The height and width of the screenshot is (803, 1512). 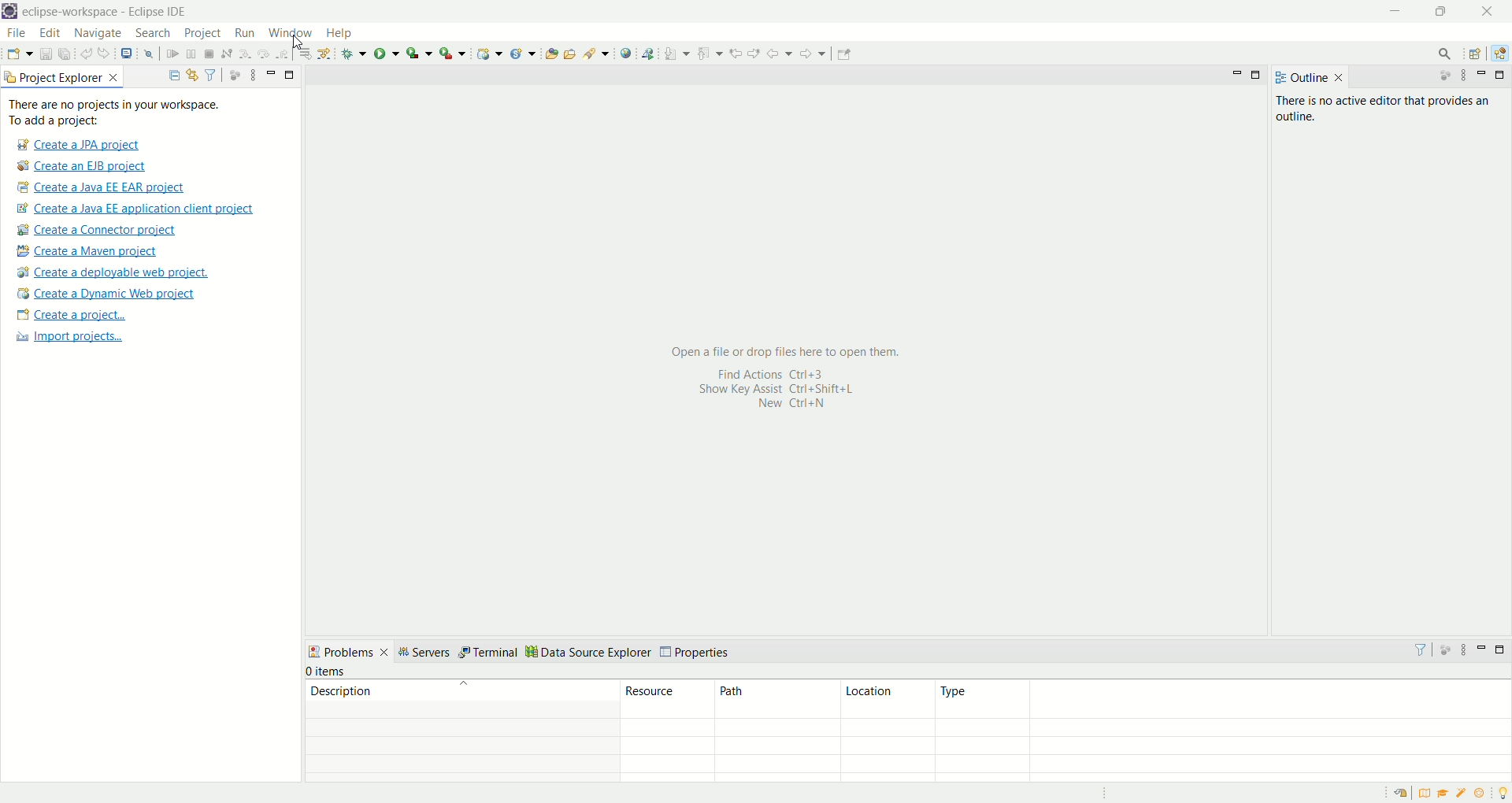 What do you see at coordinates (1397, 12) in the screenshot?
I see `minimize` at bounding box center [1397, 12].